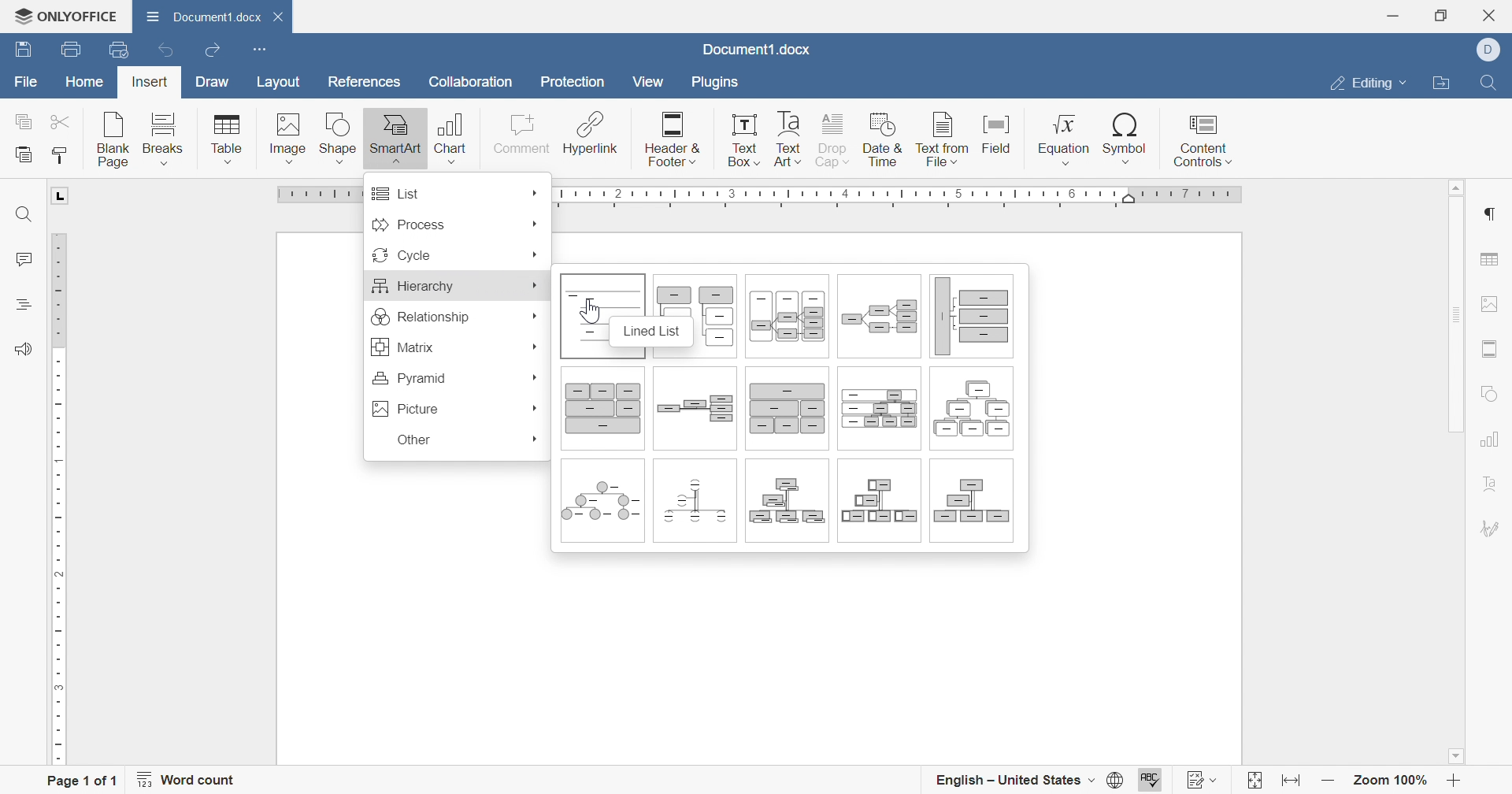  I want to click on Word count, so click(187, 780).